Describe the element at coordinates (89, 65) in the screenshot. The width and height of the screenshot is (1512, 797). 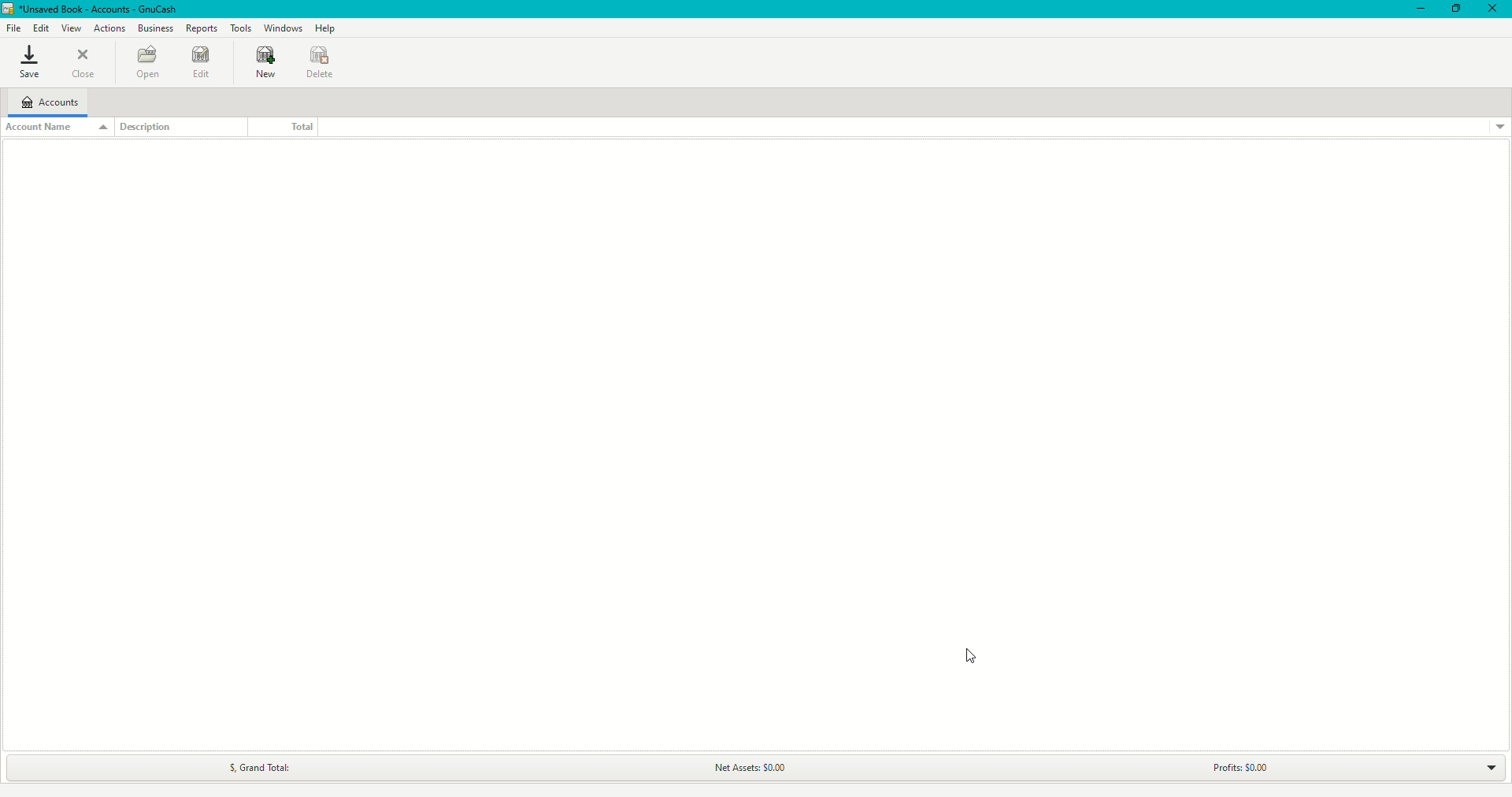
I see `Close` at that location.